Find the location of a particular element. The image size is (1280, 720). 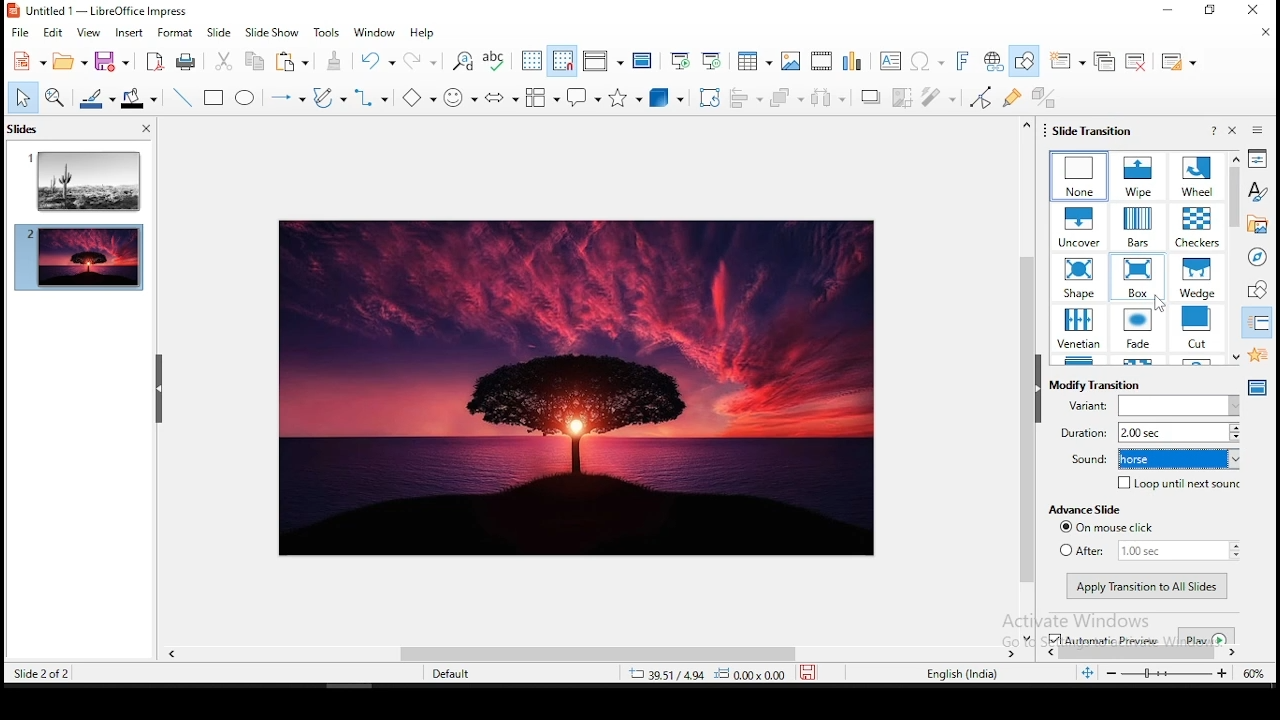

close pane is located at coordinates (1235, 130).